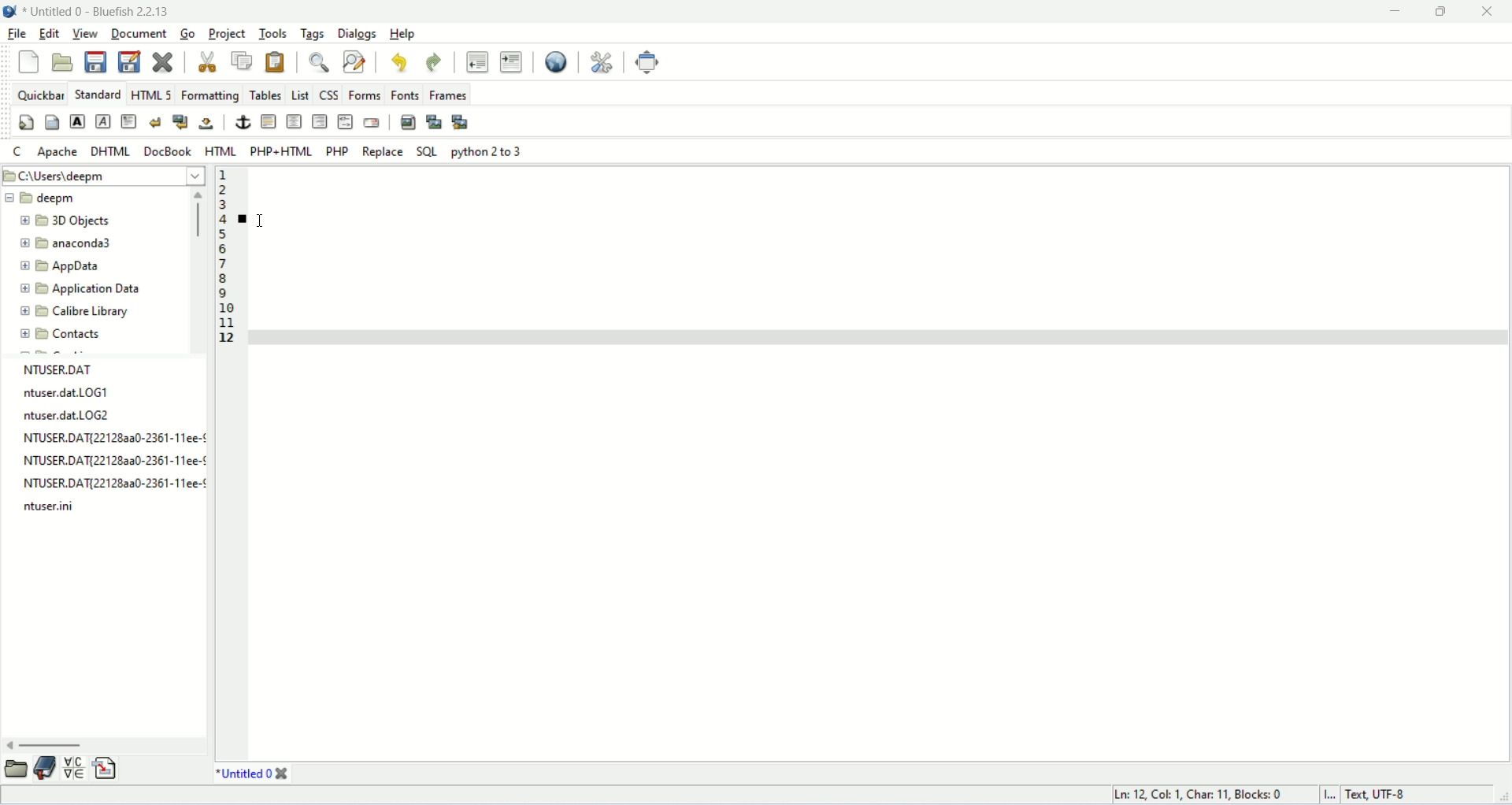 This screenshot has height=805, width=1512. Describe the element at coordinates (86, 33) in the screenshot. I see `view` at that location.